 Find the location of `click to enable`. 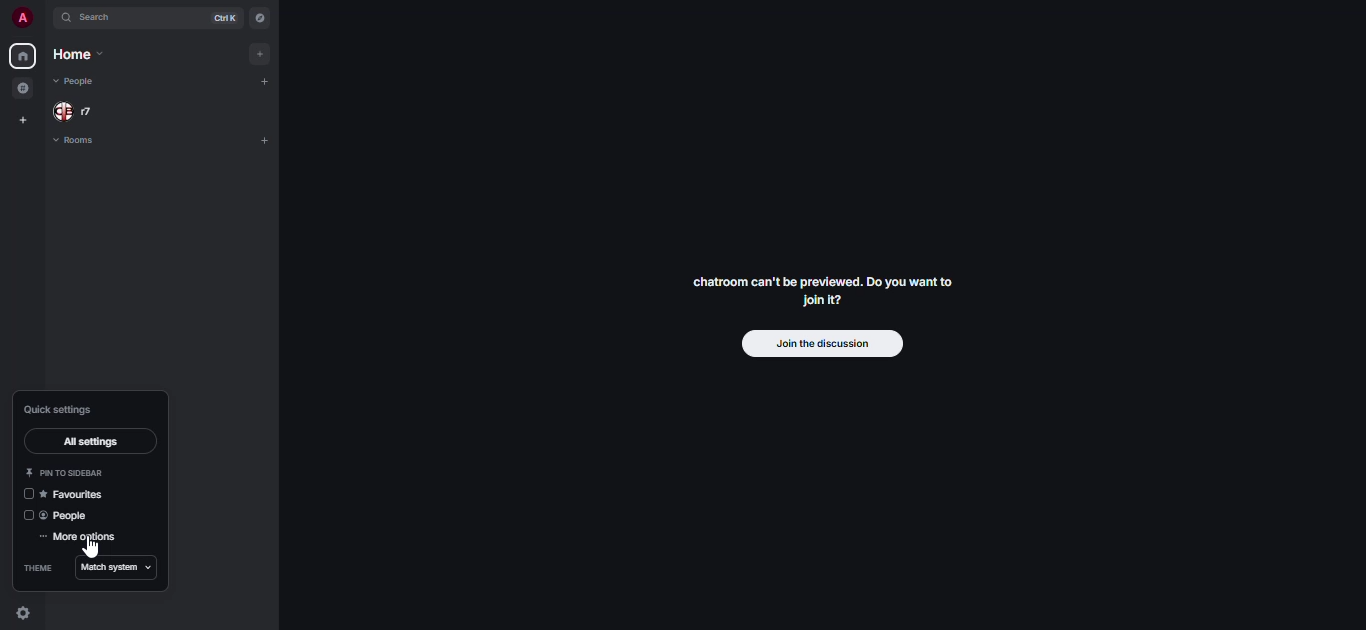

click to enable is located at coordinates (21, 518).